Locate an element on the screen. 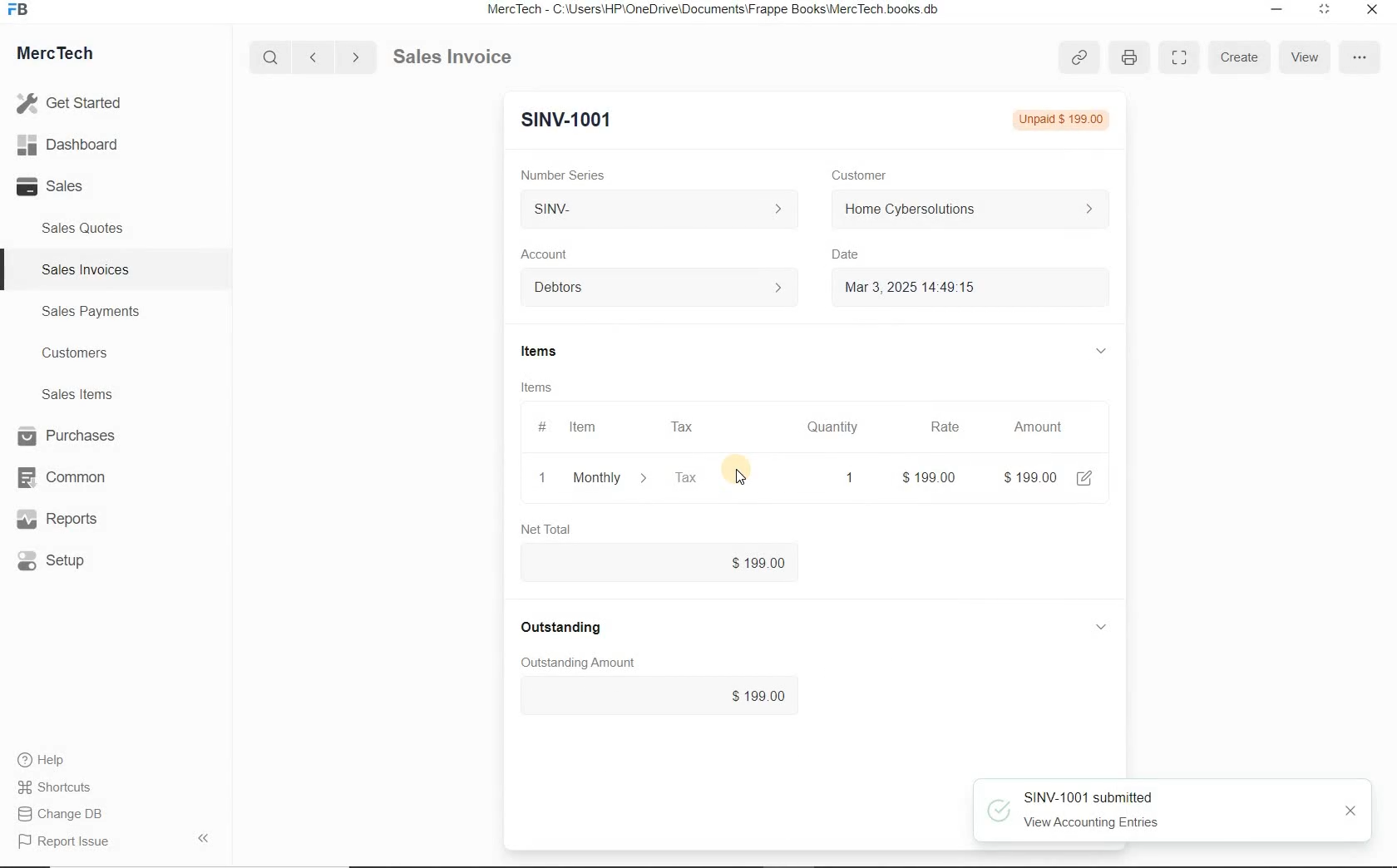 This screenshot has width=1397, height=868. Item is located at coordinates (584, 427).